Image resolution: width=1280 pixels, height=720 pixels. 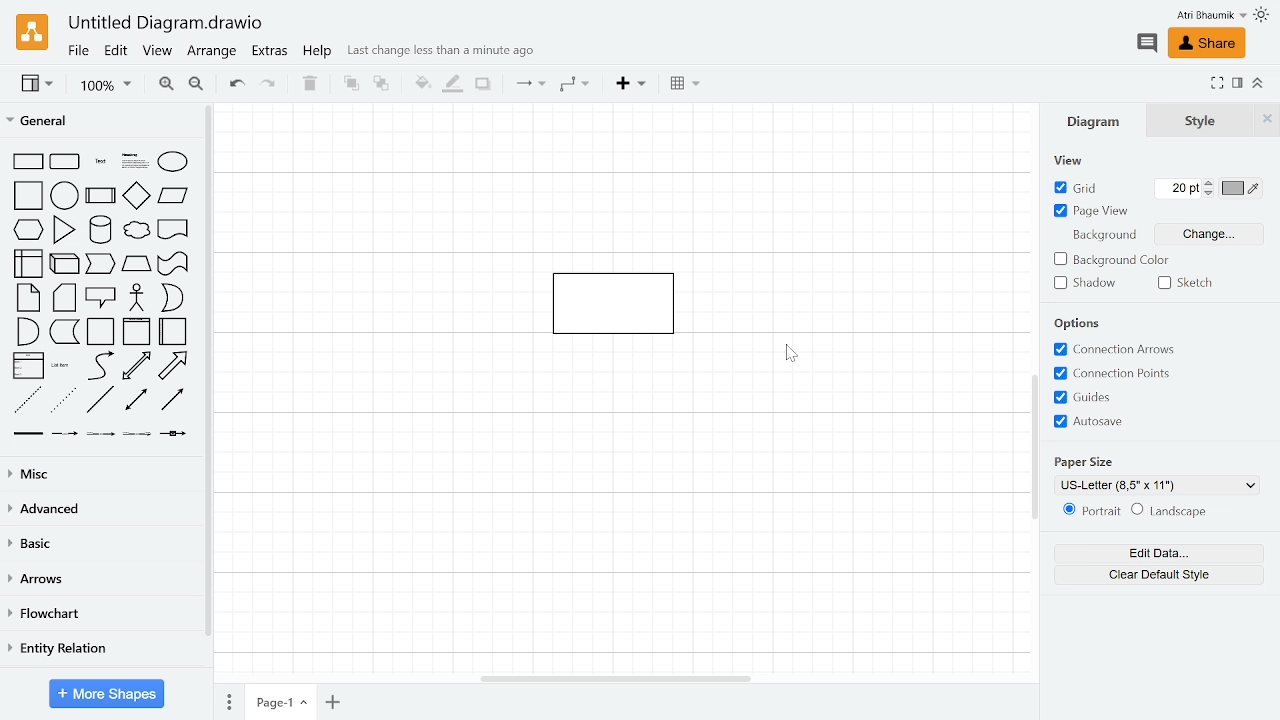 I want to click on Close, so click(x=1267, y=120).